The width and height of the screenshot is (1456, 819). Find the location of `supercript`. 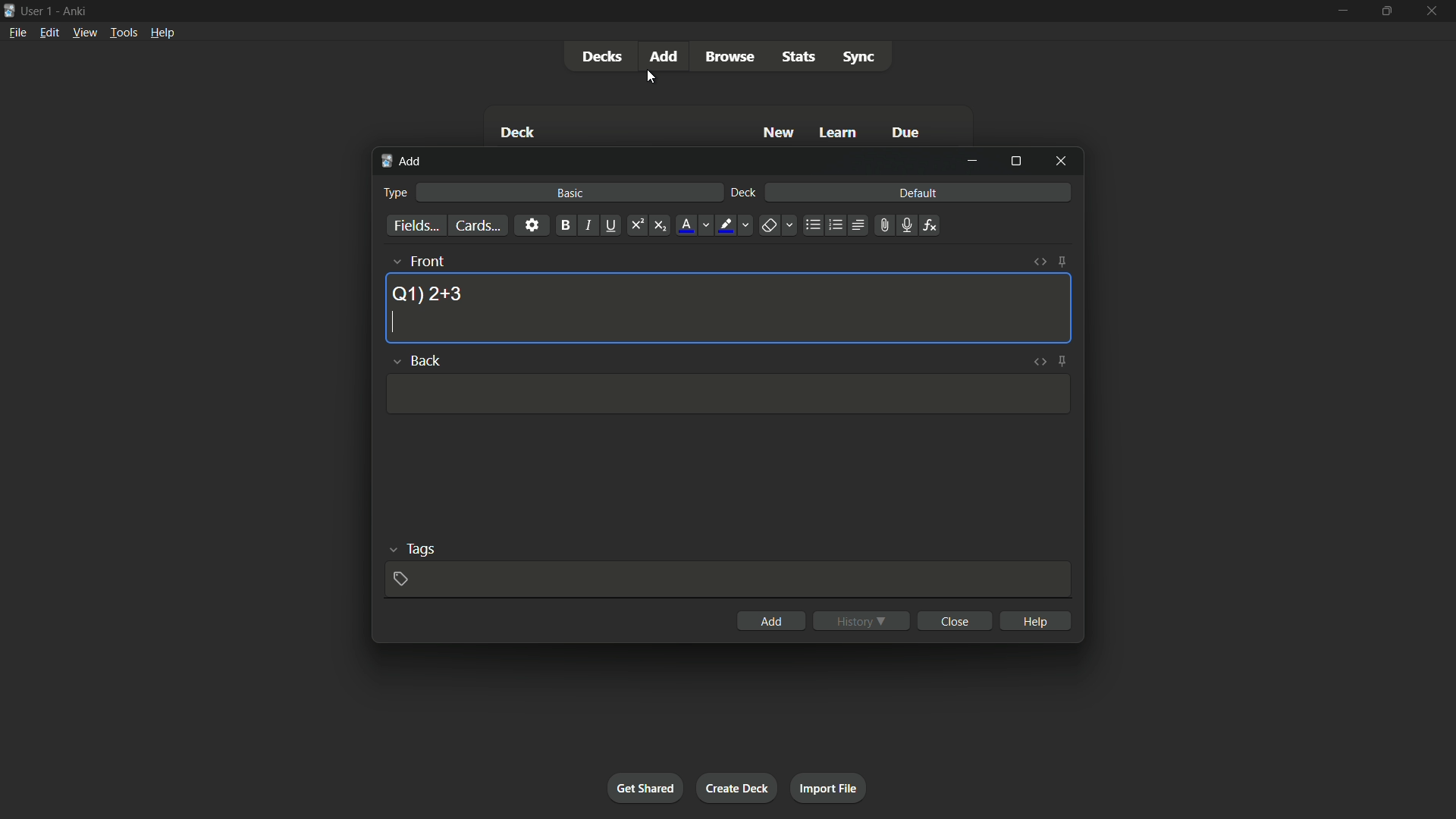

supercript is located at coordinates (635, 226).